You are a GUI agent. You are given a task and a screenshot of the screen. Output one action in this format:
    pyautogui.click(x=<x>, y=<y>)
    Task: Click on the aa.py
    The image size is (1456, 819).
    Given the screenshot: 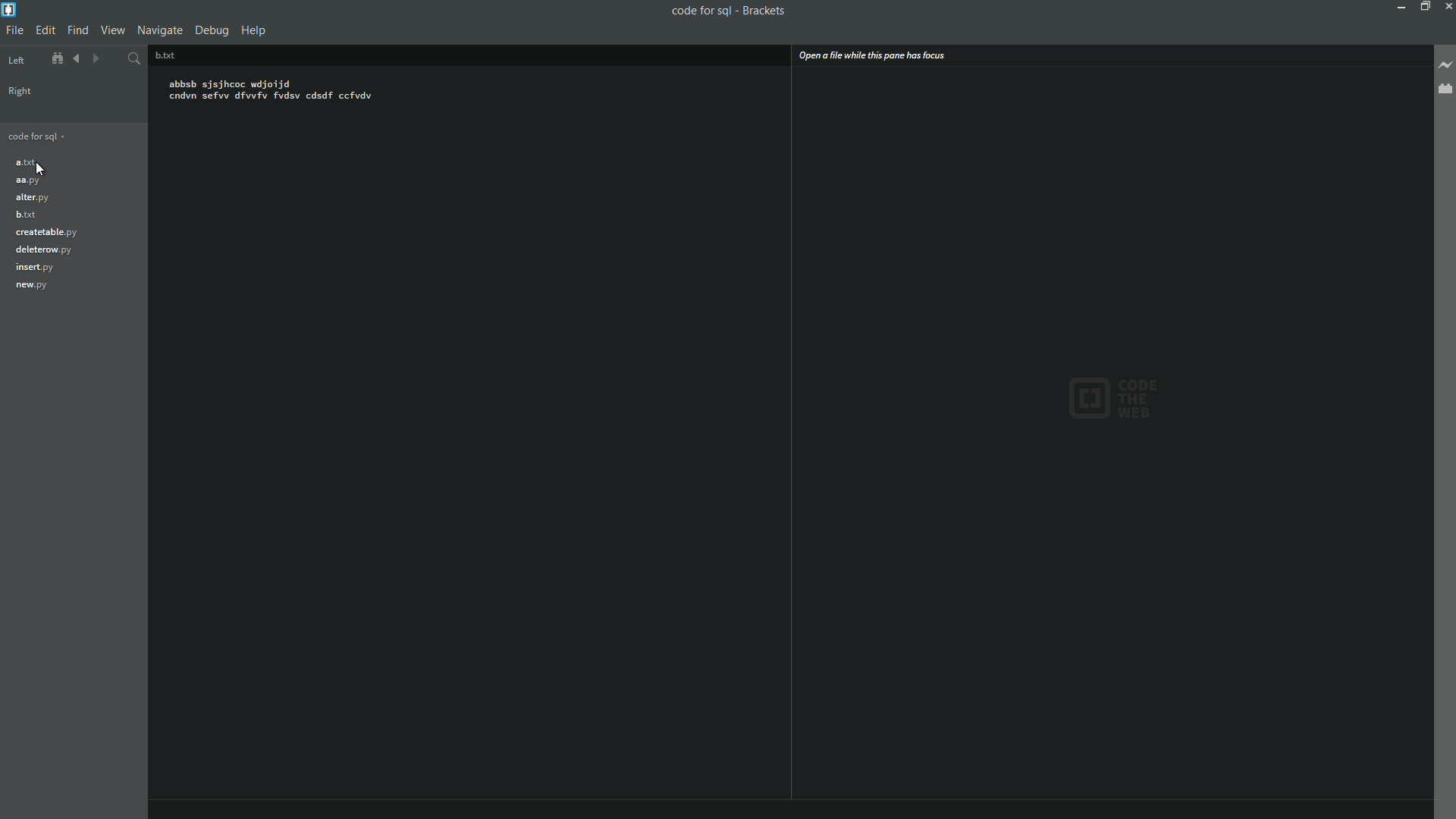 What is the action you would take?
    pyautogui.click(x=29, y=183)
    